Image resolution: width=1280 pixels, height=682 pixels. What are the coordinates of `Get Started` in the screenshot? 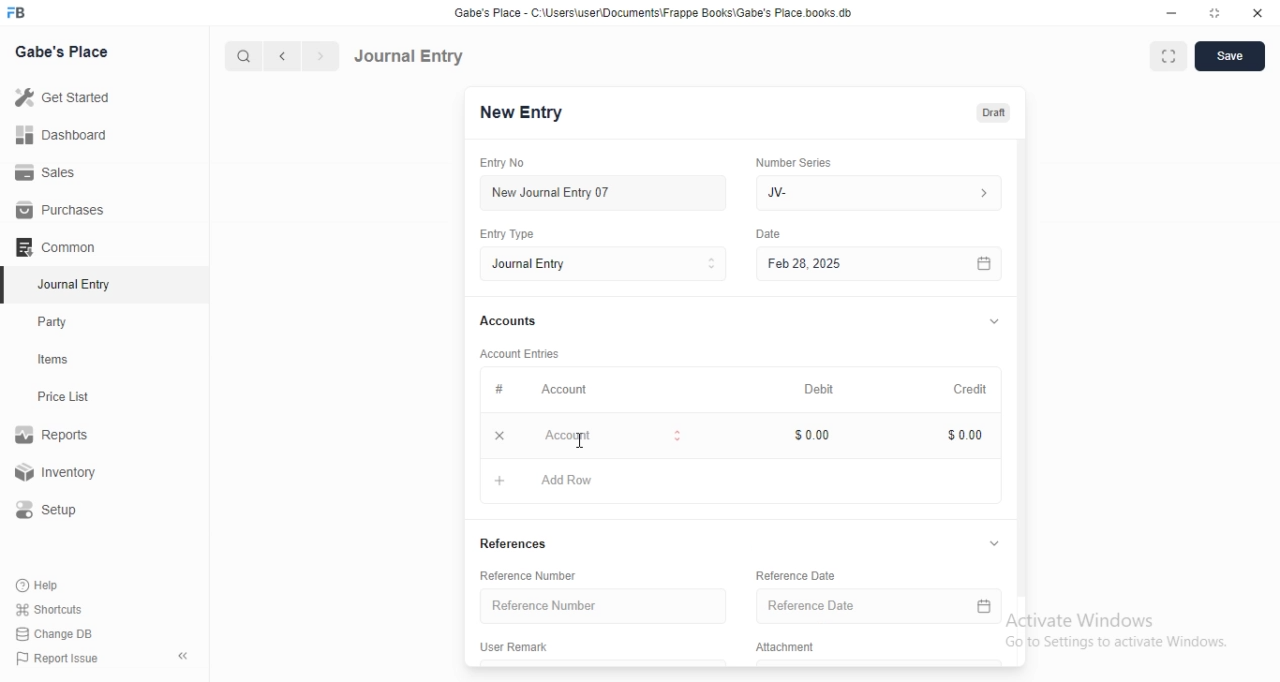 It's located at (61, 99).